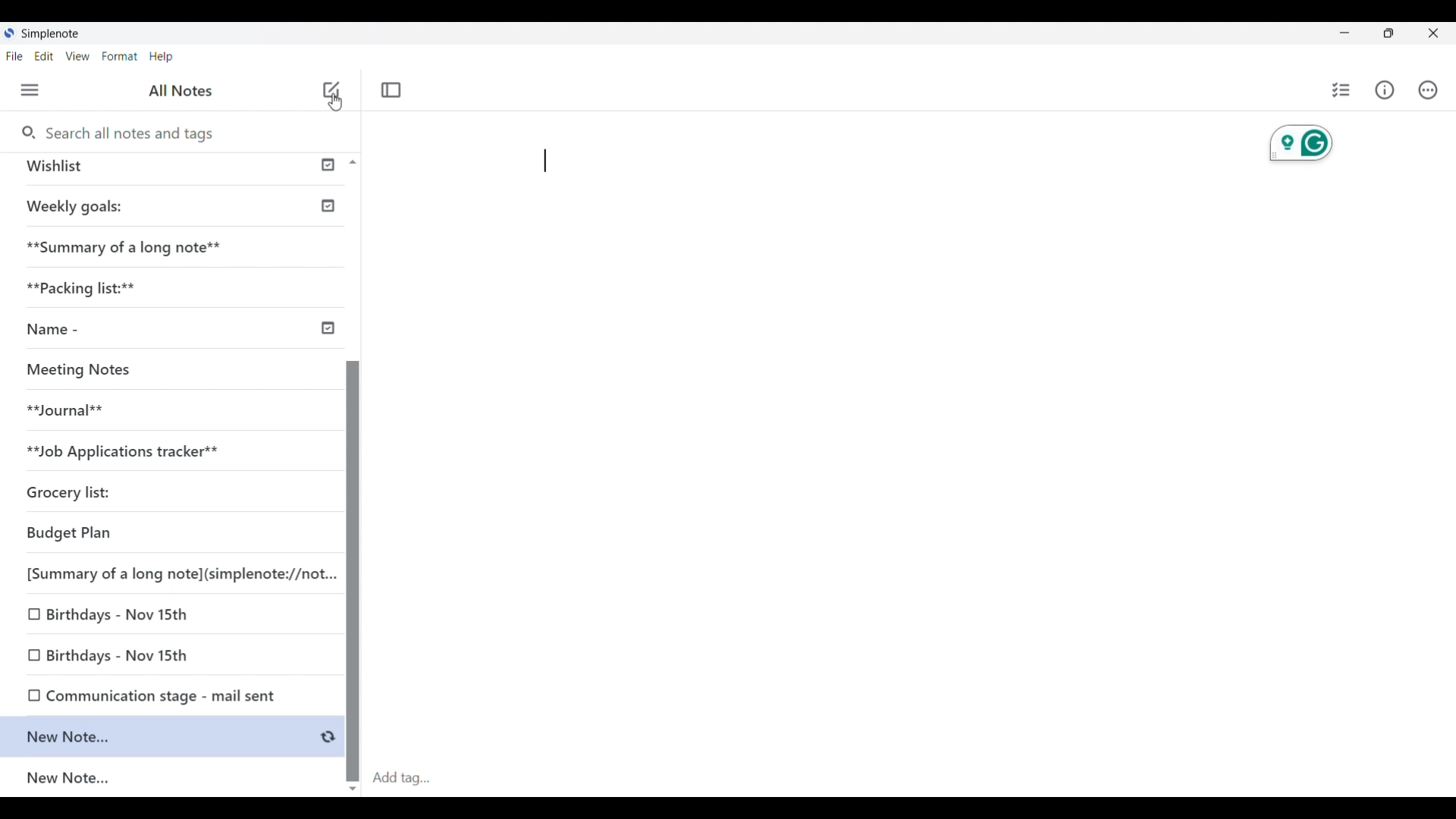  I want to click on Meeting Notes, so click(88, 368).